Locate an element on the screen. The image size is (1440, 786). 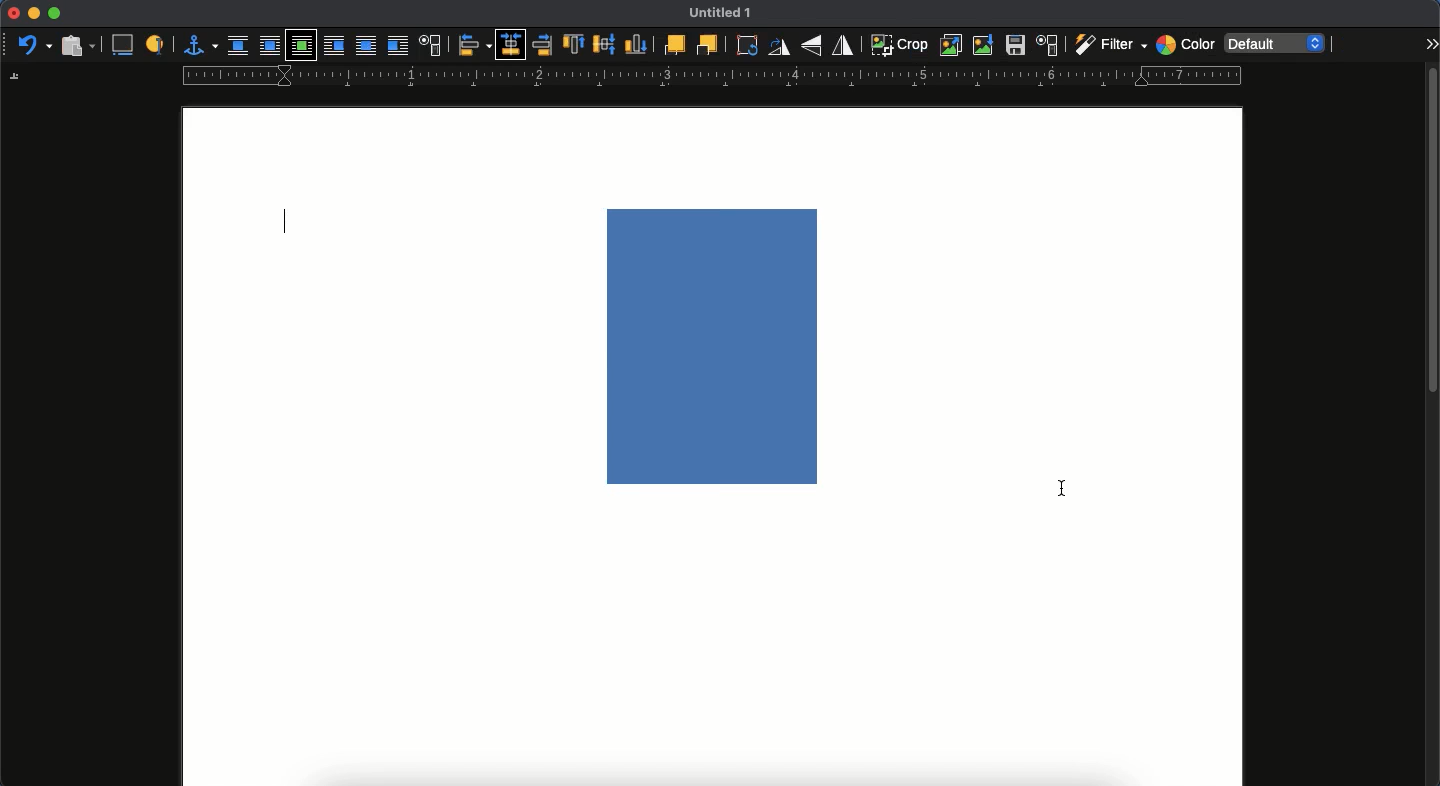
replace is located at coordinates (951, 46).